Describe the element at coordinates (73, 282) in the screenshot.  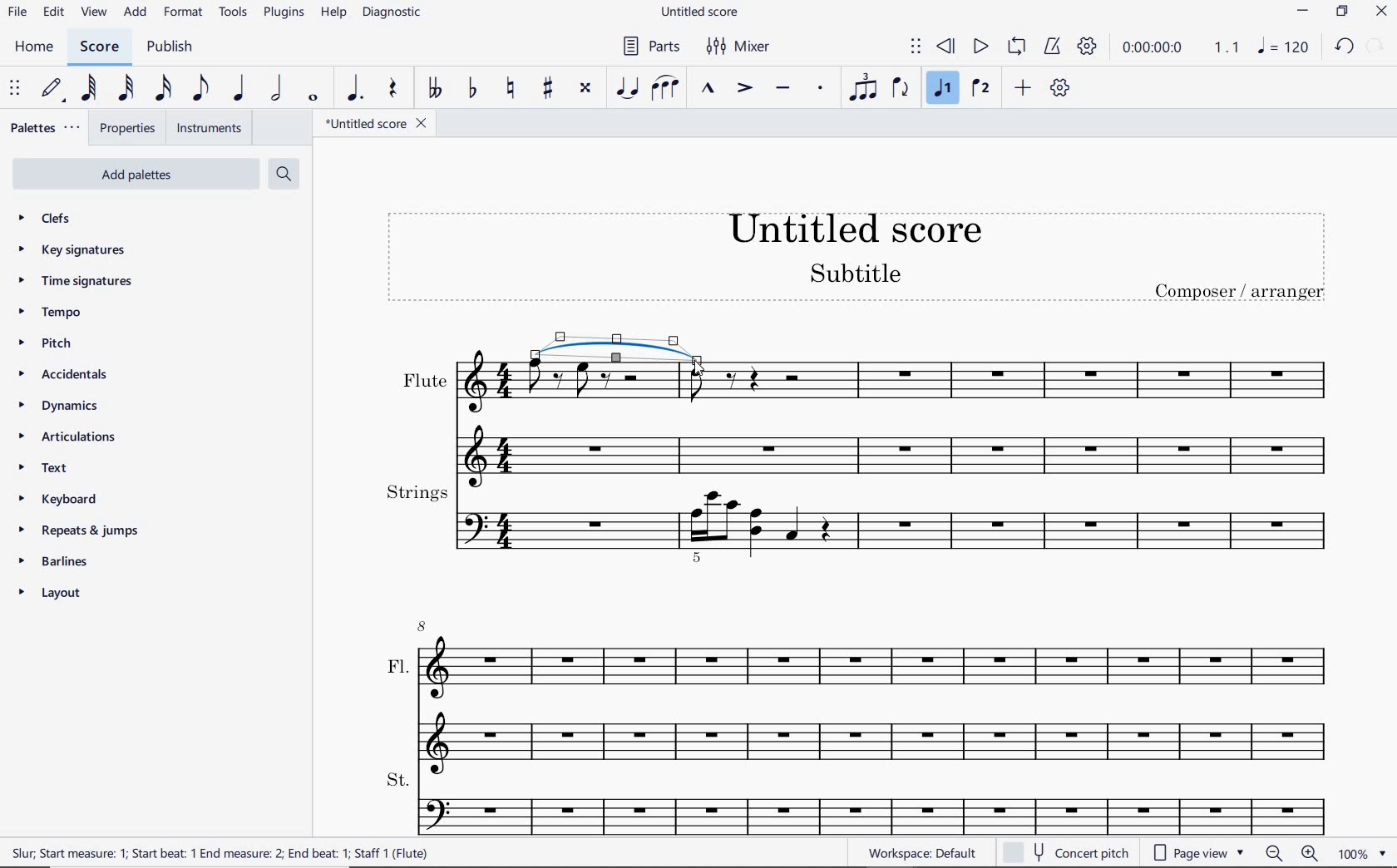
I see `time signatures` at that location.